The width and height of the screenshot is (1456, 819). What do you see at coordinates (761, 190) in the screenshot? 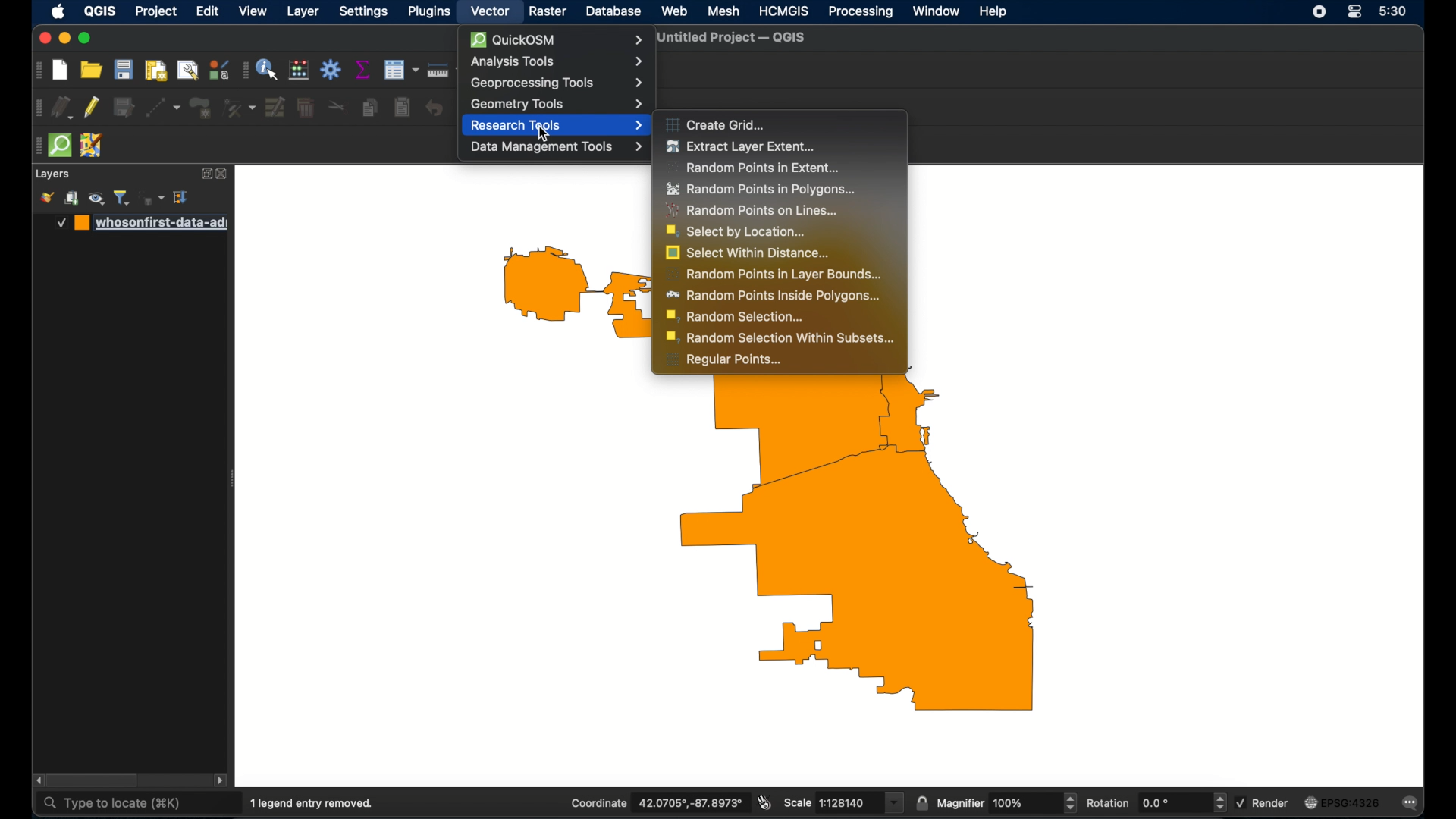
I see `random points in polygons` at bounding box center [761, 190].